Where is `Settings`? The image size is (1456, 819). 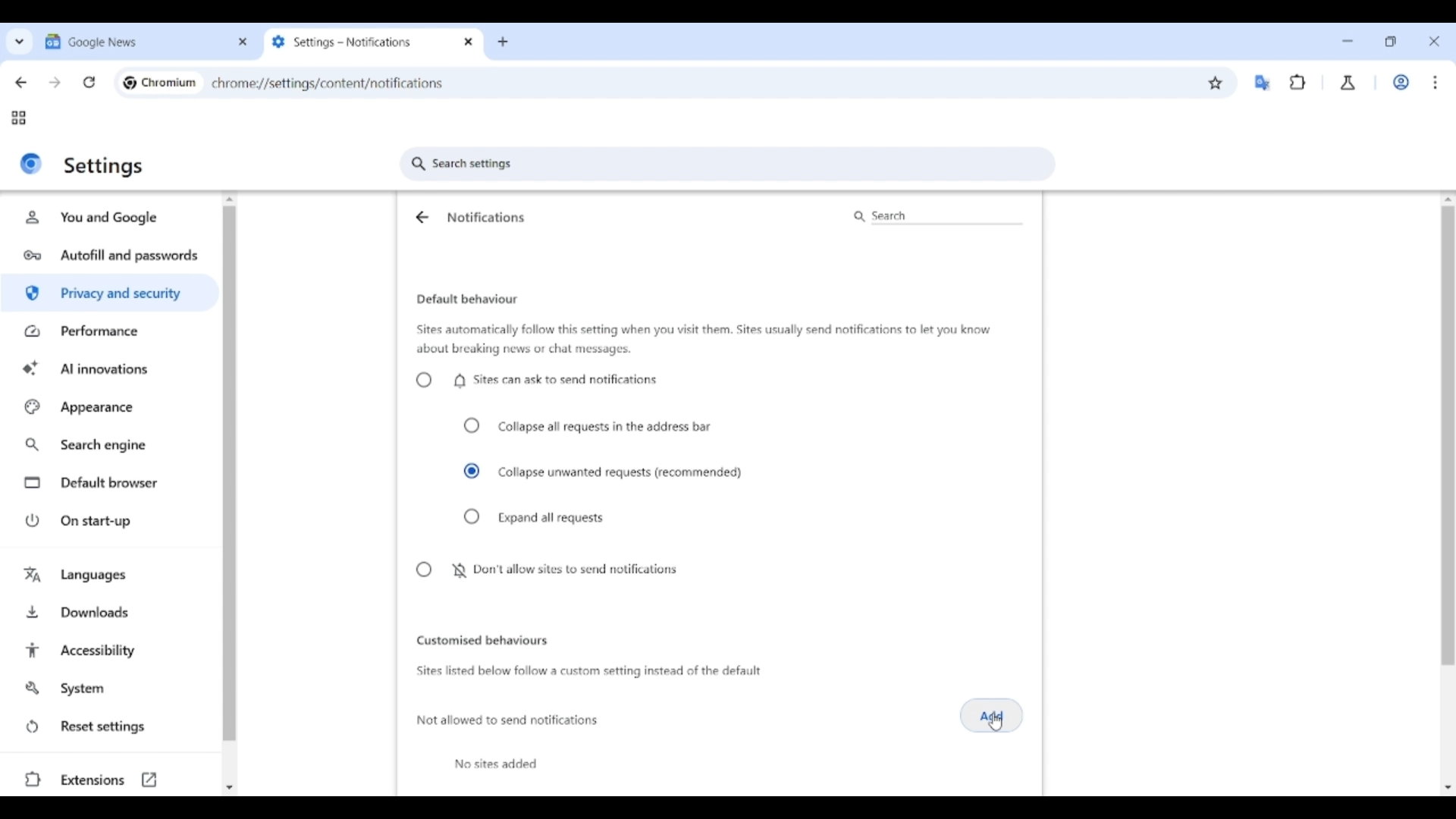 Settings is located at coordinates (105, 166).